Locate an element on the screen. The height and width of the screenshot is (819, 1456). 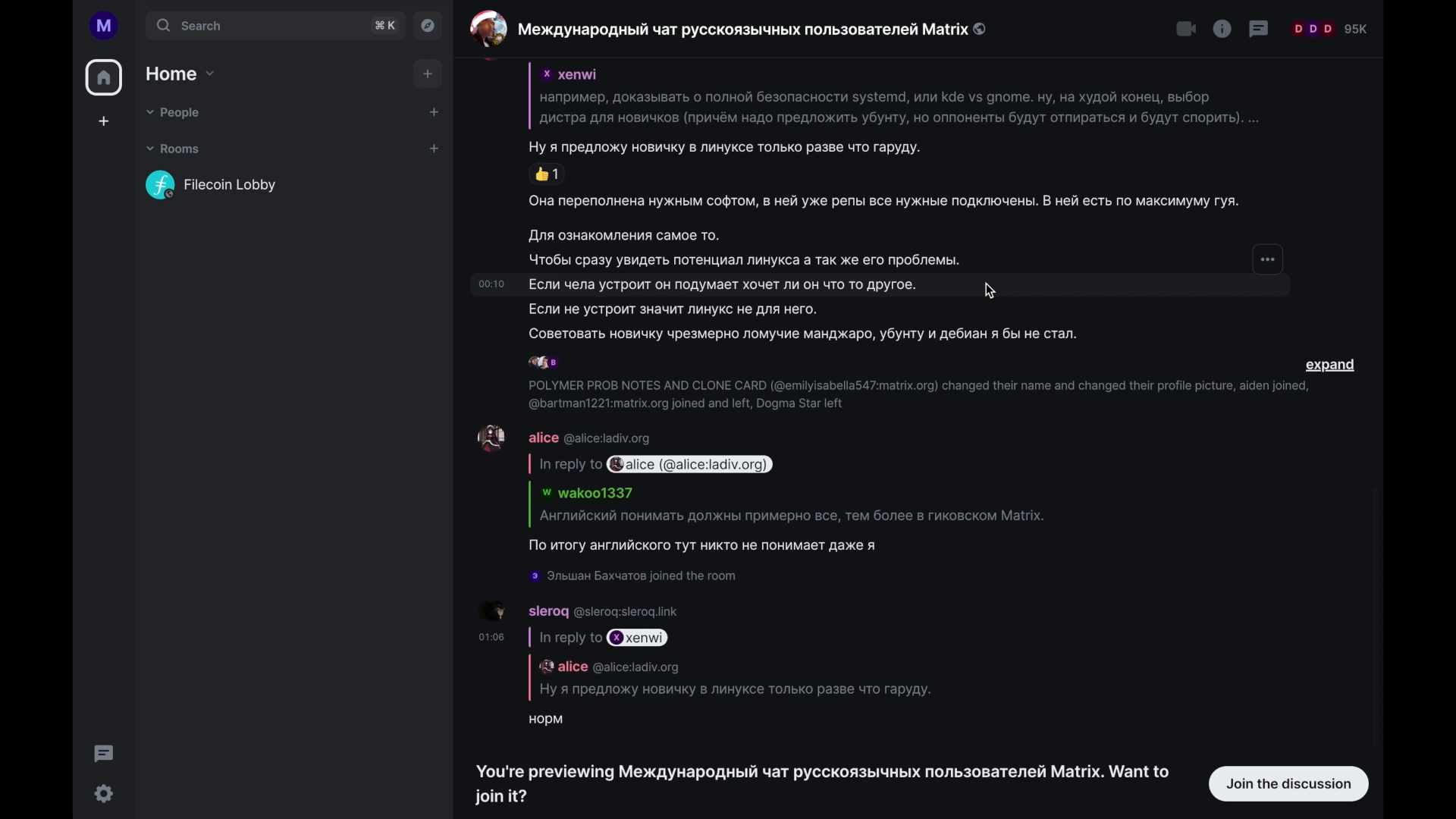
Эльшан Бахчатов joined the room is located at coordinates (632, 576).